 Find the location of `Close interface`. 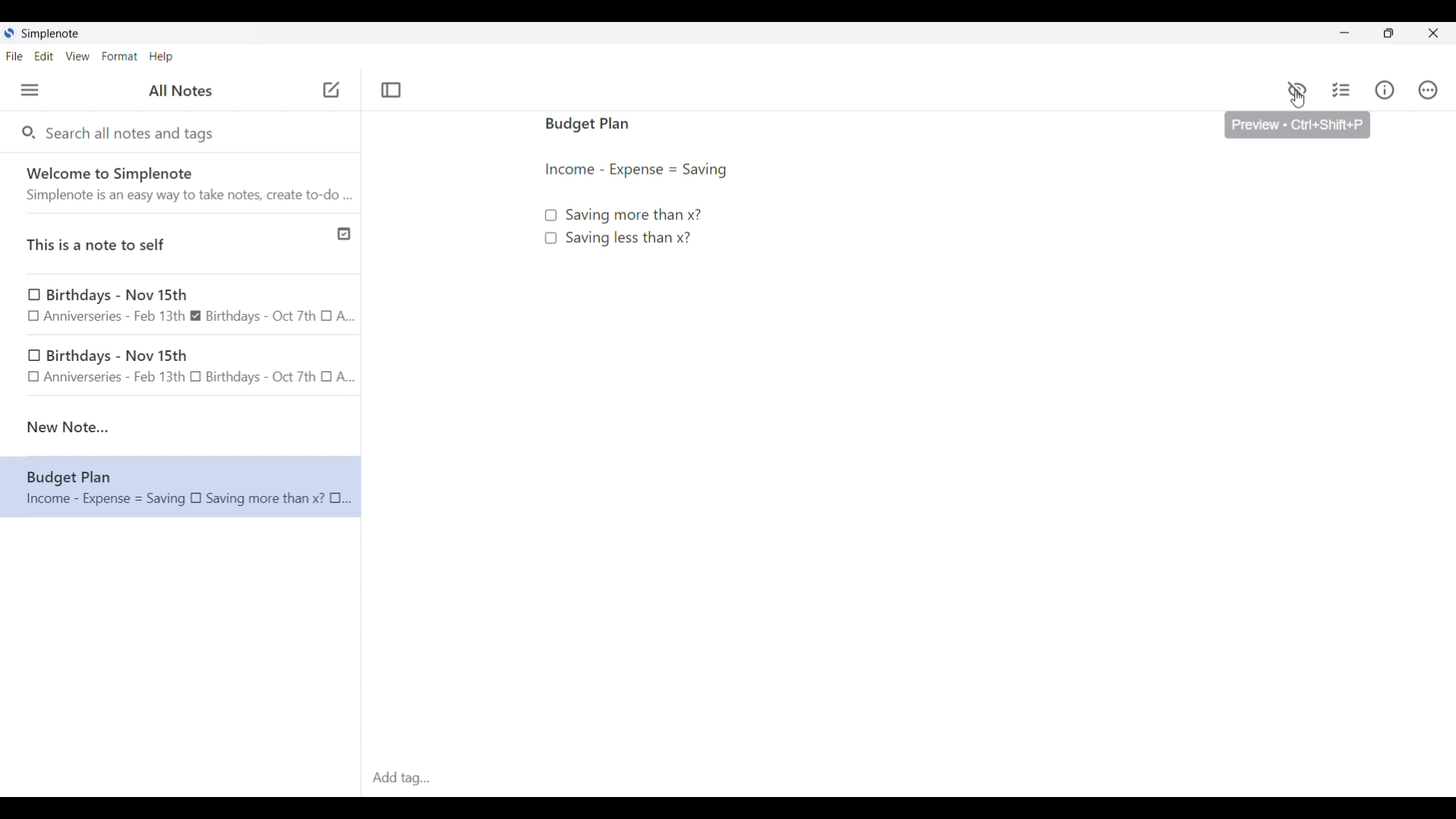

Close interface is located at coordinates (1433, 33).